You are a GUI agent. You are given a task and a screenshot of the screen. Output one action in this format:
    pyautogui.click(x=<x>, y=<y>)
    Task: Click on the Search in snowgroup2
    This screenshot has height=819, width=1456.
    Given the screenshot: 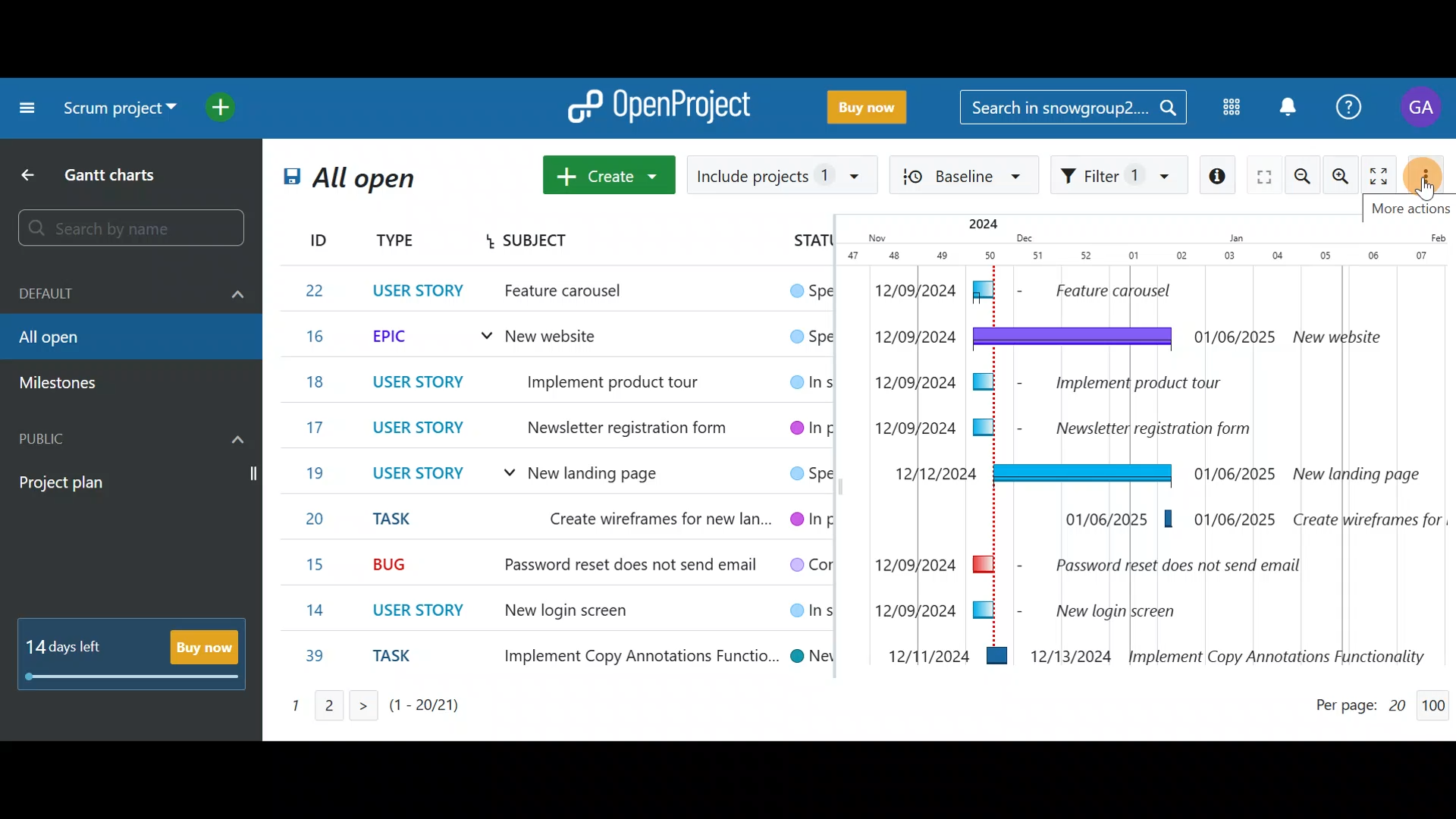 What is the action you would take?
    pyautogui.click(x=1074, y=110)
    